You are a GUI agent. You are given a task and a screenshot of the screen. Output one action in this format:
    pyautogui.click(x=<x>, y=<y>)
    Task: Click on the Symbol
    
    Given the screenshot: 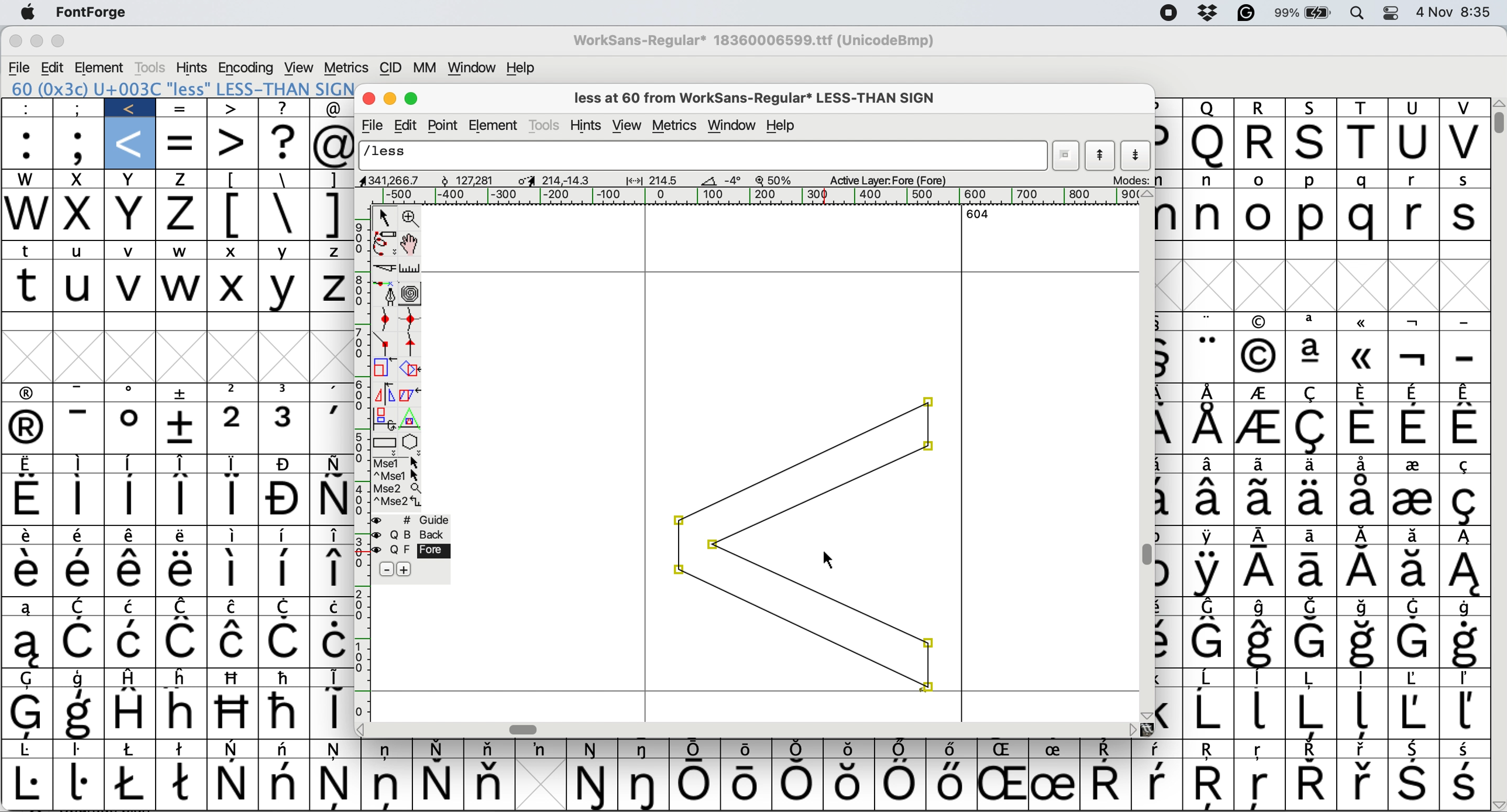 What is the action you would take?
    pyautogui.click(x=1465, y=500)
    